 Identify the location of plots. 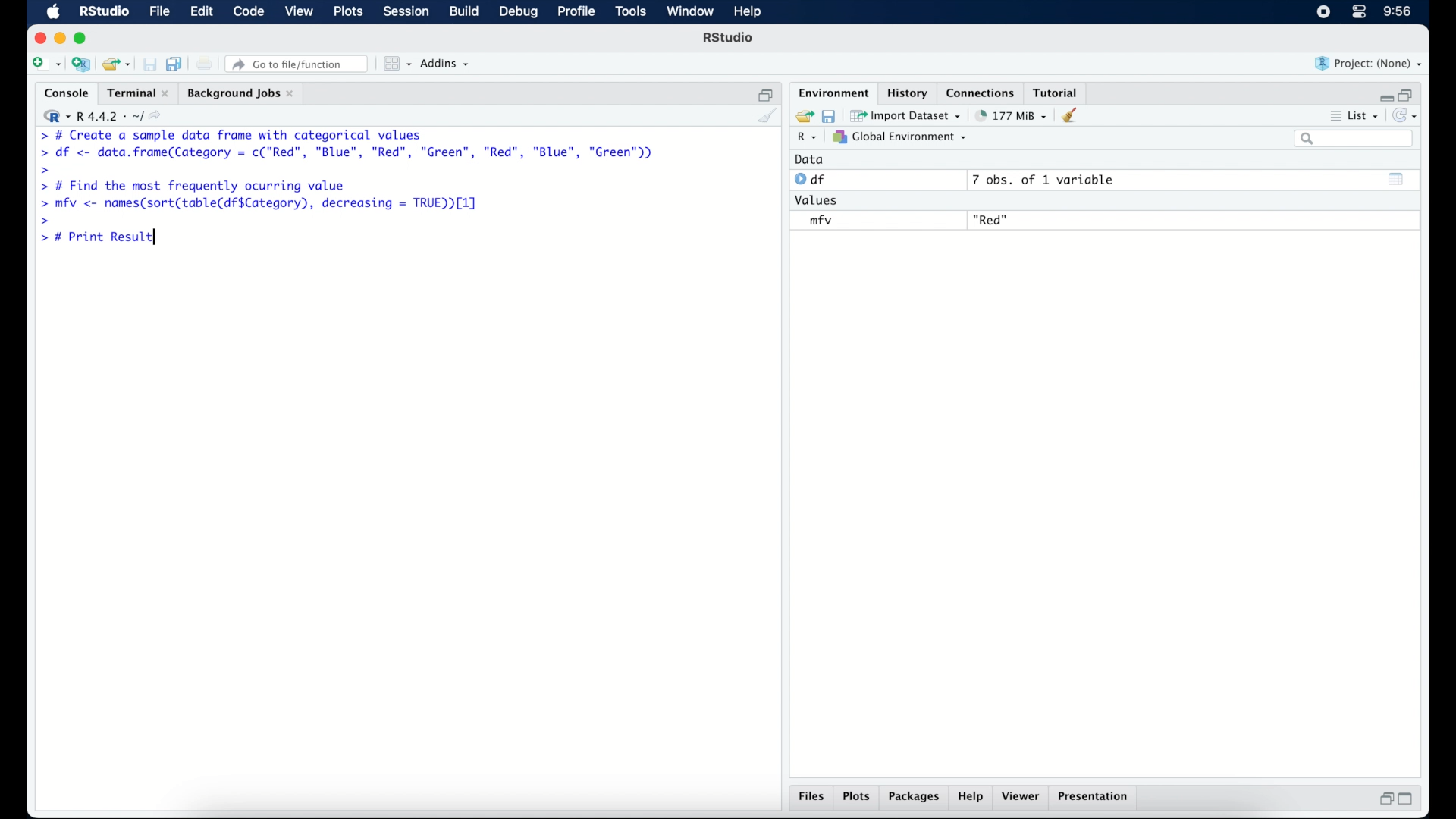
(857, 798).